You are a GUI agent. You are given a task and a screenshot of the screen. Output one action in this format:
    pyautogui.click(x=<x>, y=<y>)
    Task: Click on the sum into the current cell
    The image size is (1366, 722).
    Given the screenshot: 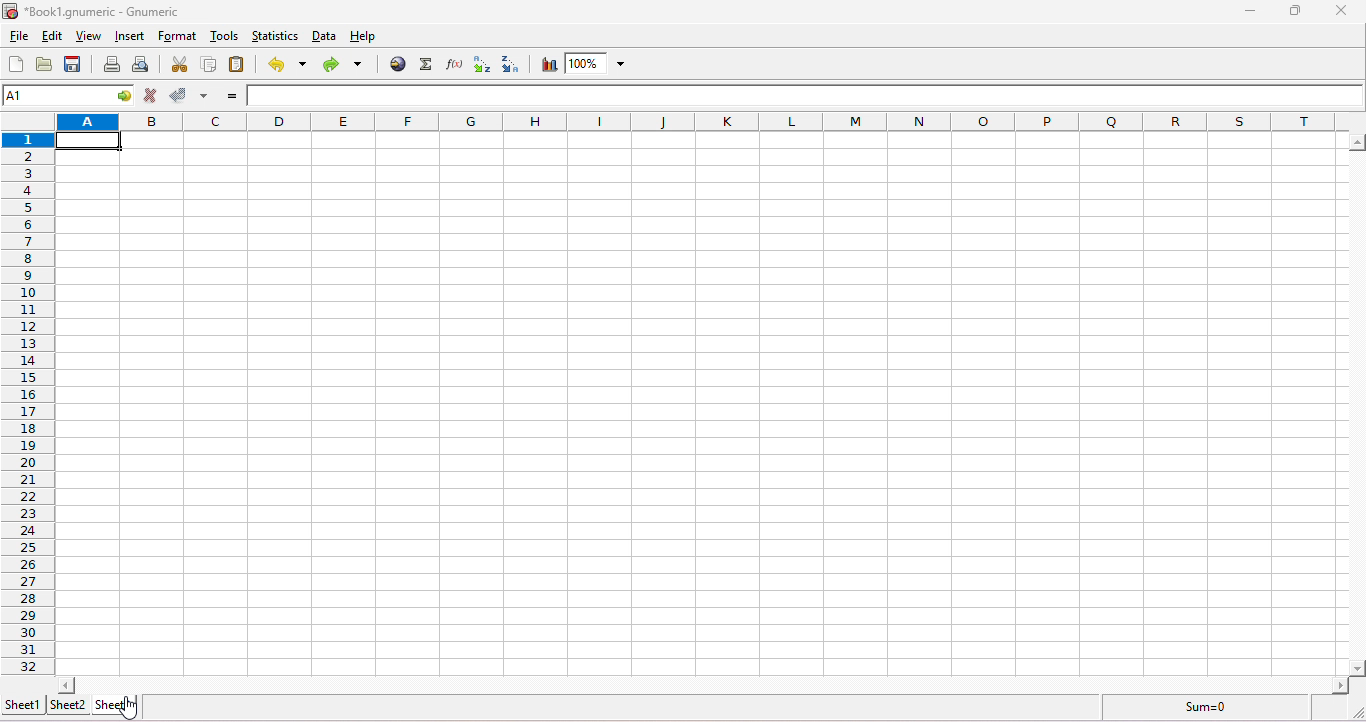 What is the action you would take?
    pyautogui.click(x=424, y=65)
    